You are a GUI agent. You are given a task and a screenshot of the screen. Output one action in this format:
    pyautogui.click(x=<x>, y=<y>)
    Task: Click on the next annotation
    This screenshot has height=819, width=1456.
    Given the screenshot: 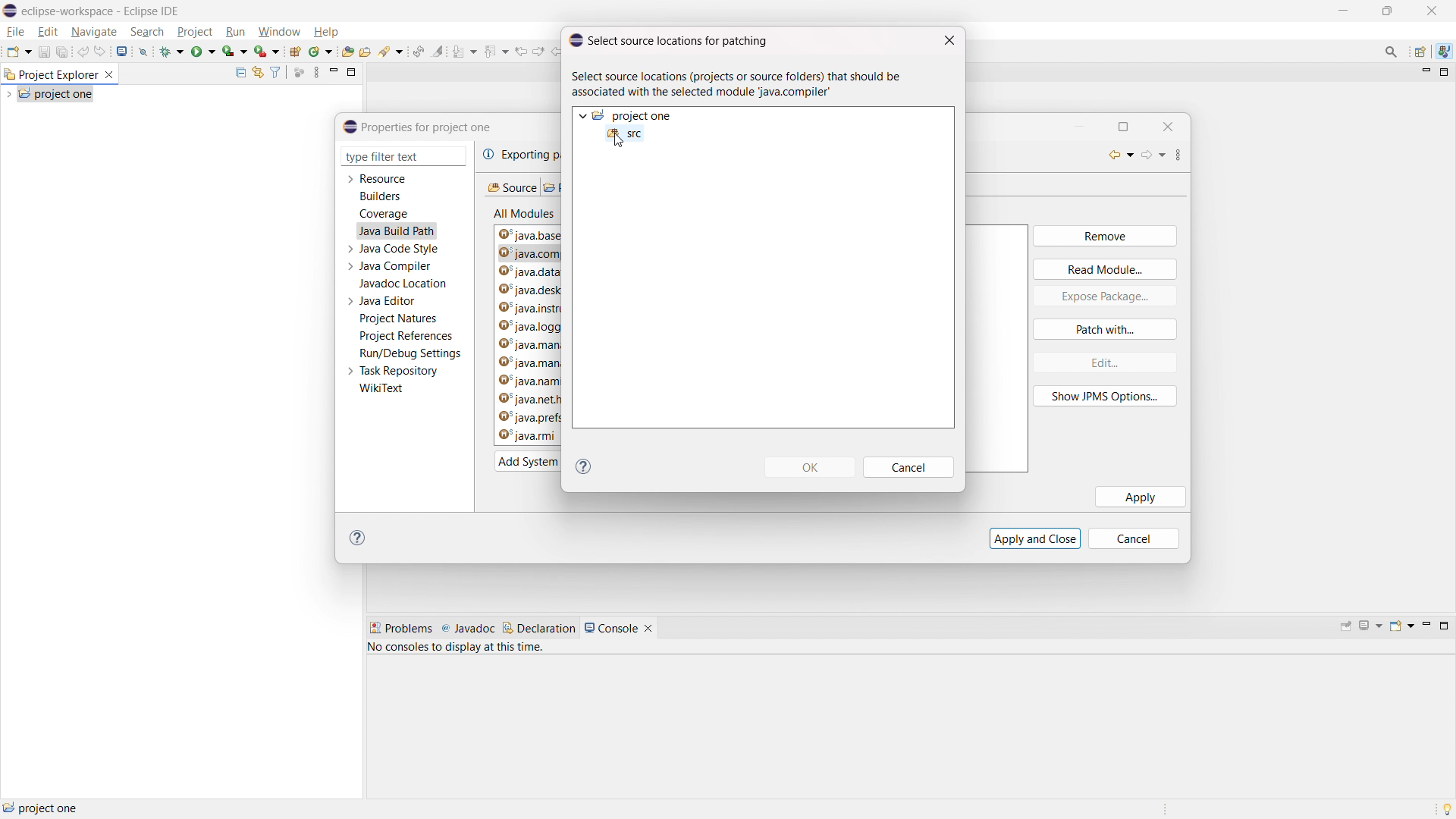 What is the action you would take?
    pyautogui.click(x=464, y=52)
    